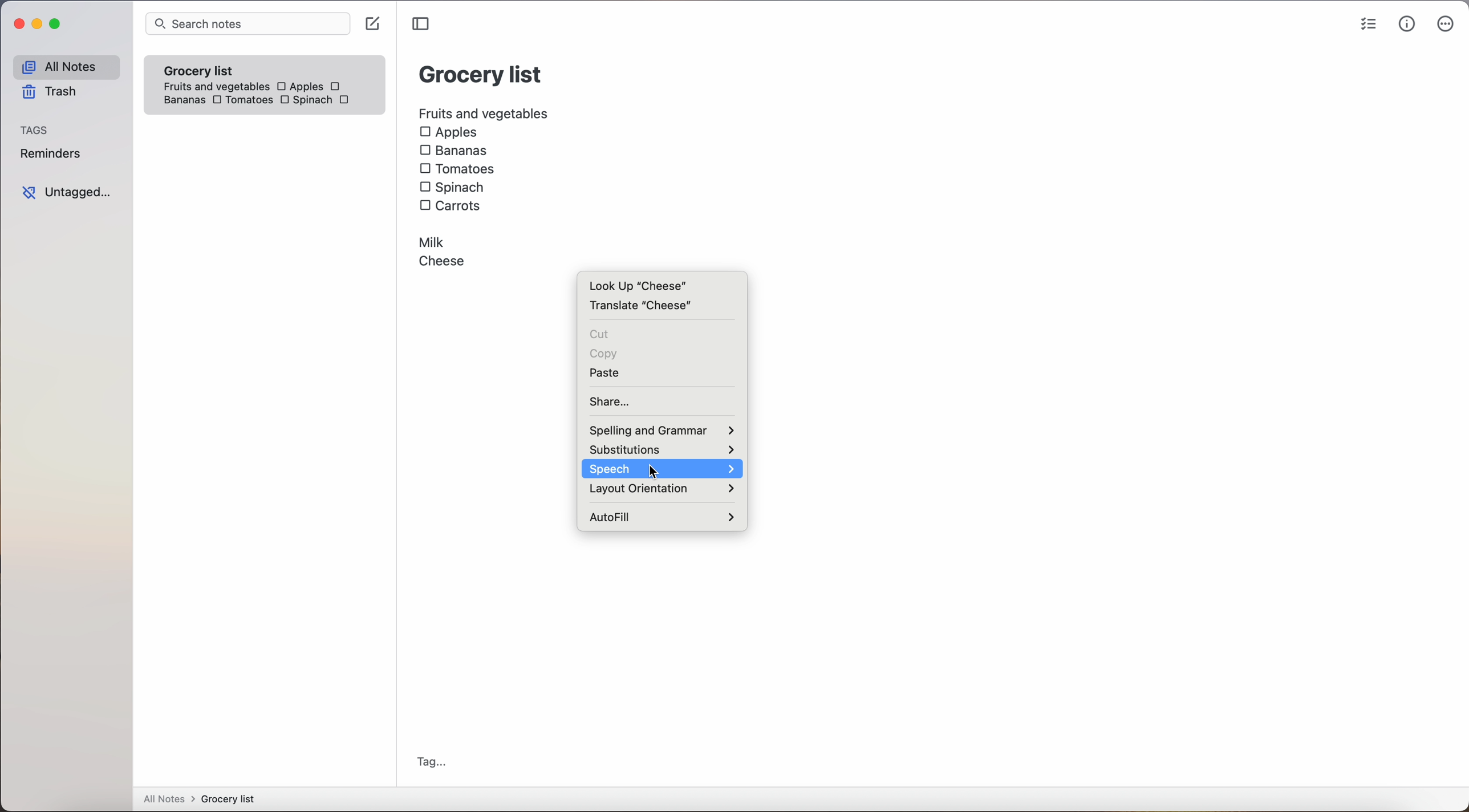 This screenshot has height=812, width=1469. I want to click on all notes, so click(64, 66).